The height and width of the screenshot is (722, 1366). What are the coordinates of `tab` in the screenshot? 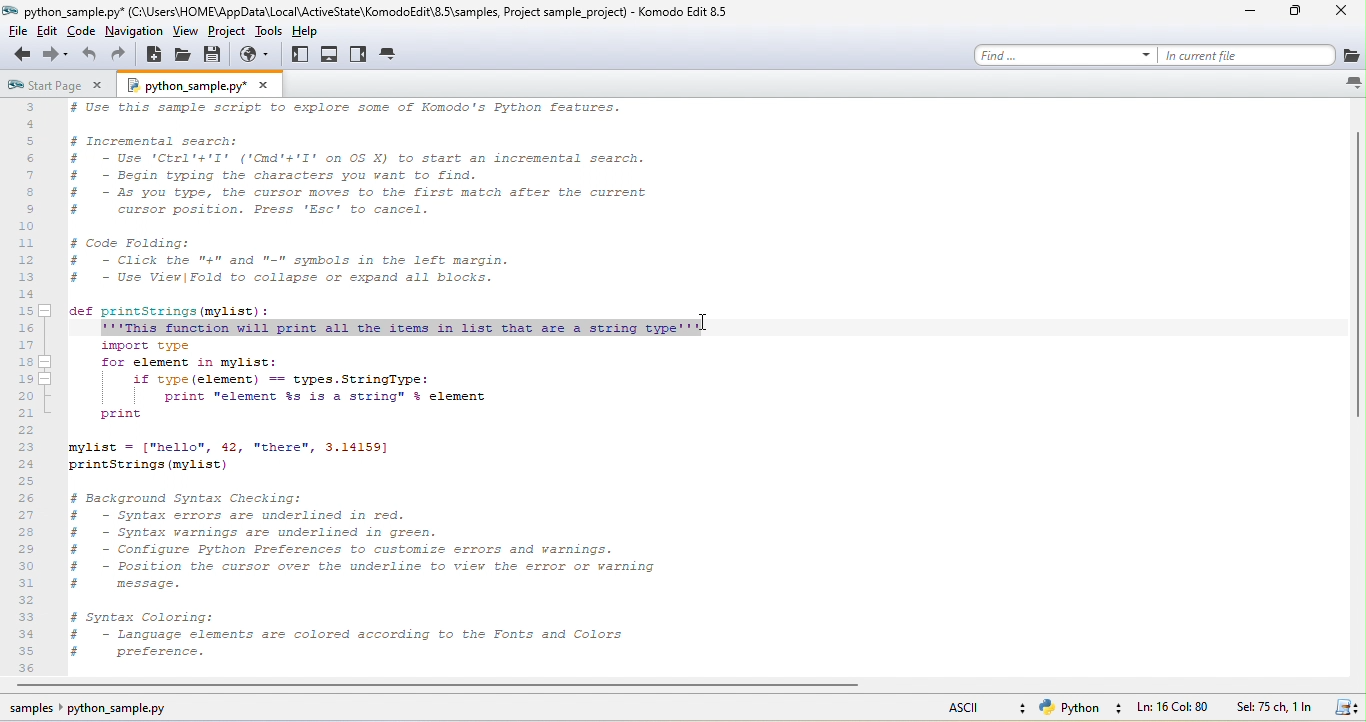 It's located at (391, 55).